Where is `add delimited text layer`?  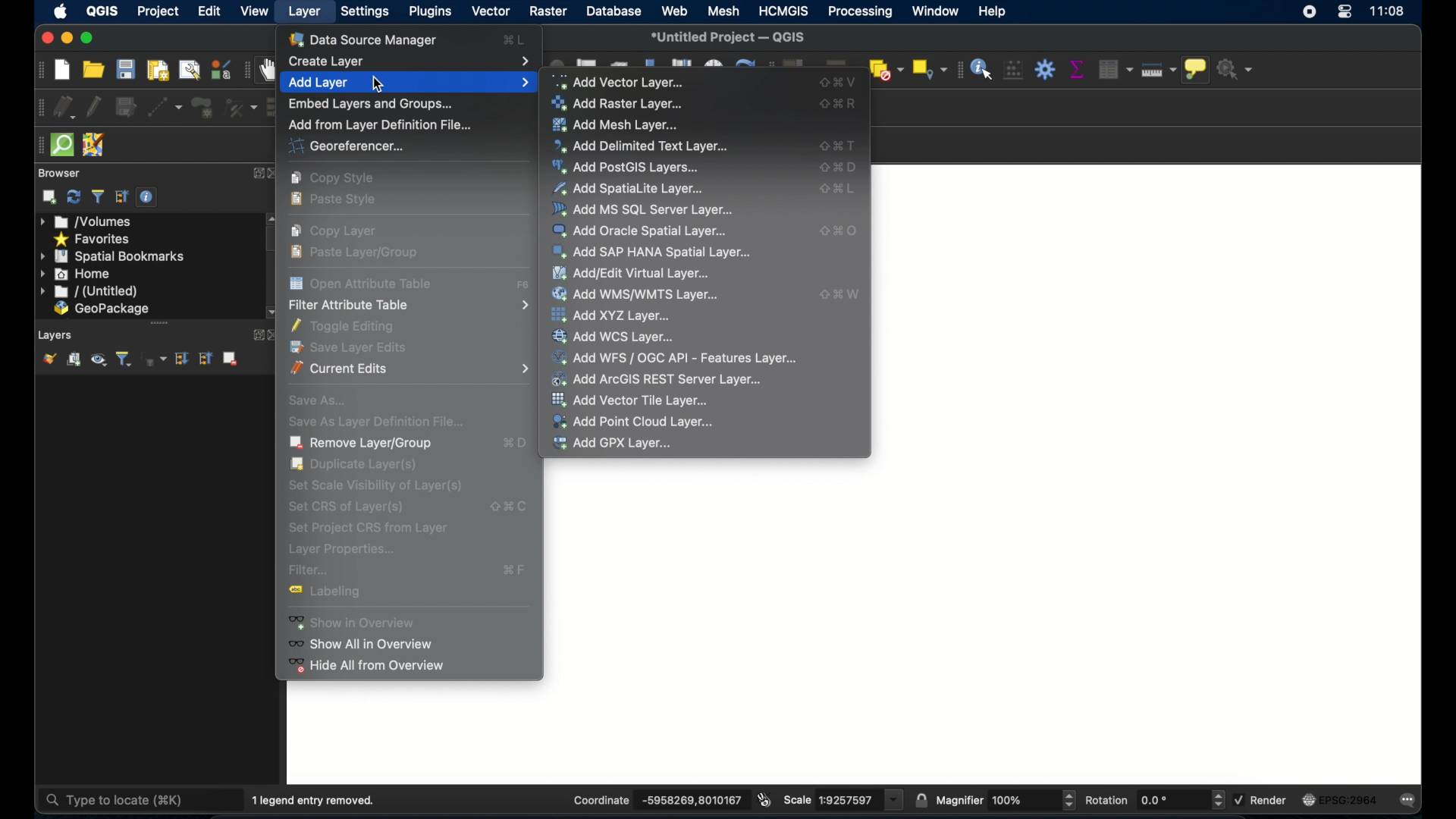
add delimited text layer is located at coordinates (642, 146).